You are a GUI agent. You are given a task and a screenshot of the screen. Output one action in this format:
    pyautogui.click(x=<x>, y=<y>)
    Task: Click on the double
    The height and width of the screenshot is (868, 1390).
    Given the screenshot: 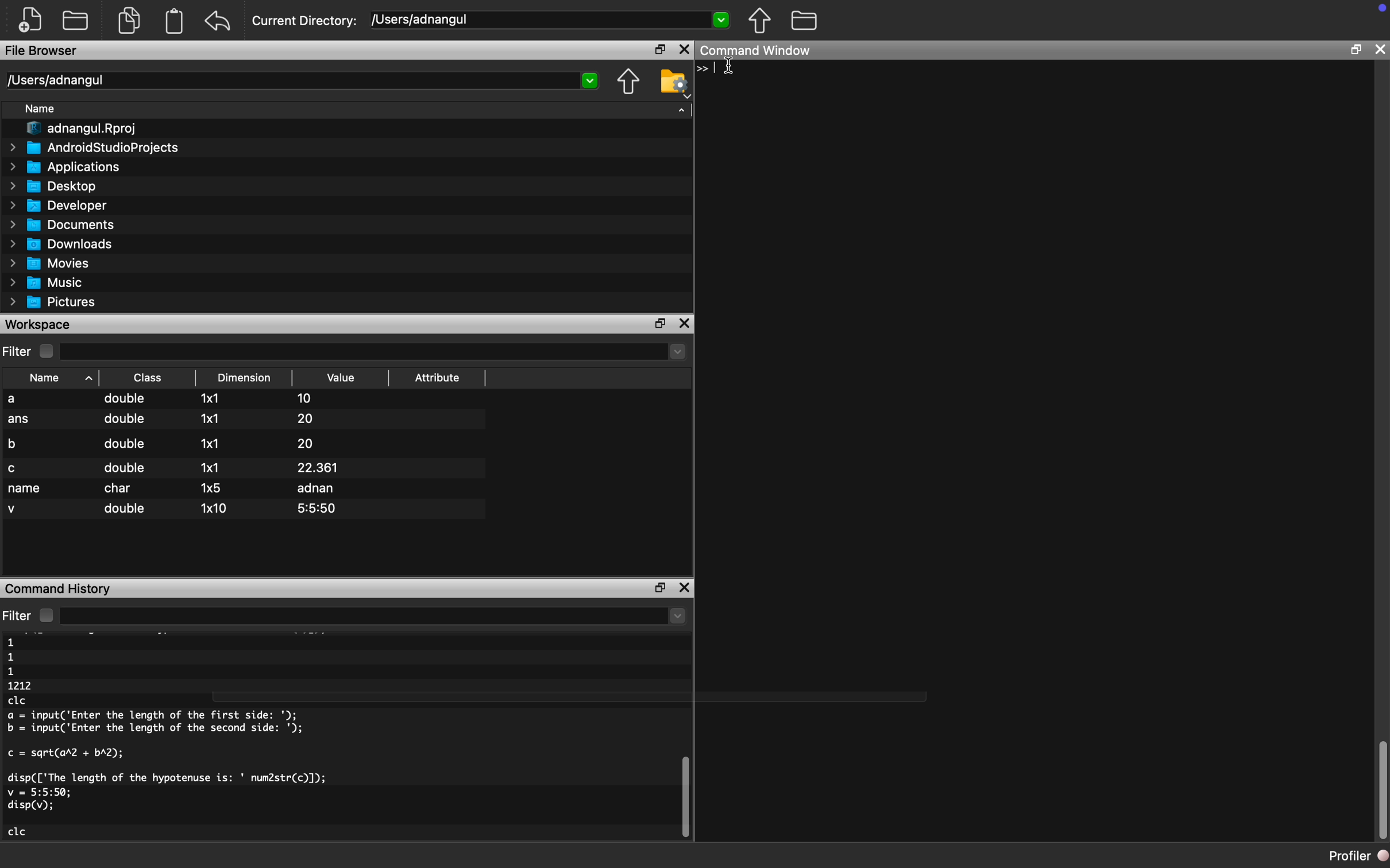 What is the action you would take?
    pyautogui.click(x=127, y=418)
    